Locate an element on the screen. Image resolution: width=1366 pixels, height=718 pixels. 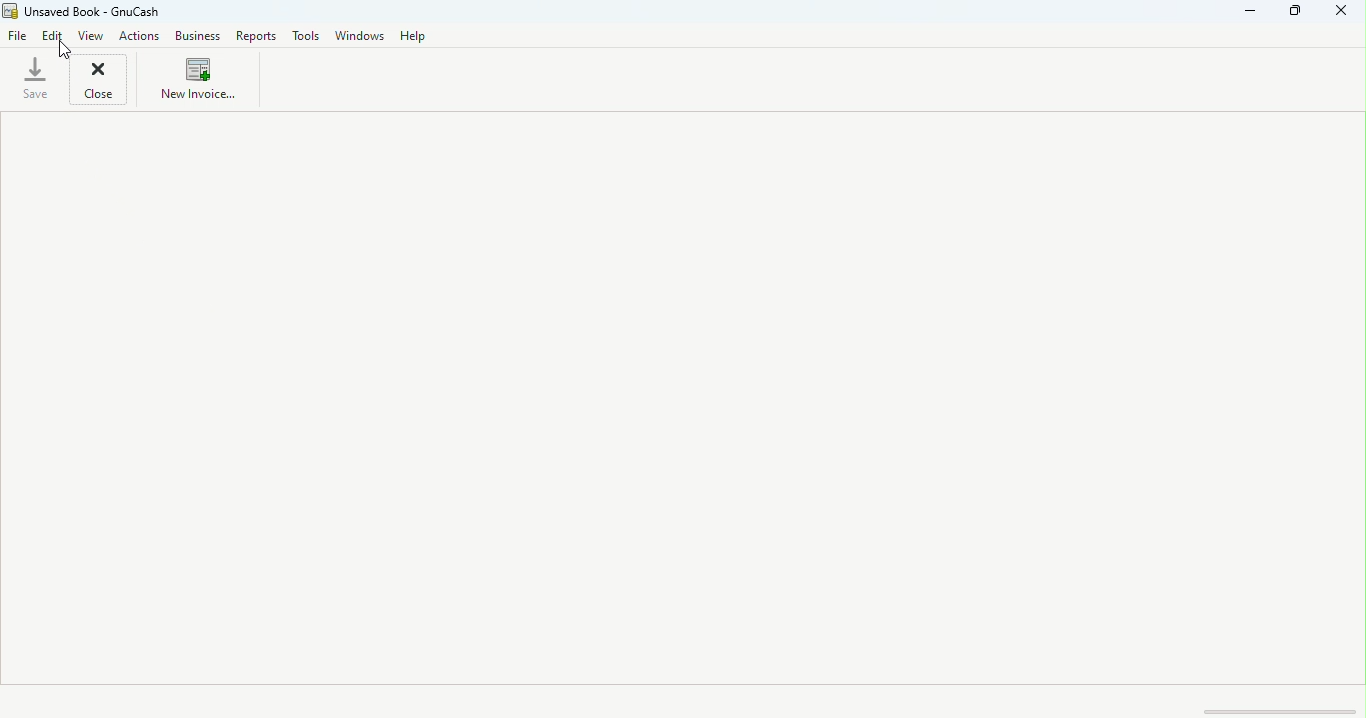
Close is located at coordinates (1346, 14).